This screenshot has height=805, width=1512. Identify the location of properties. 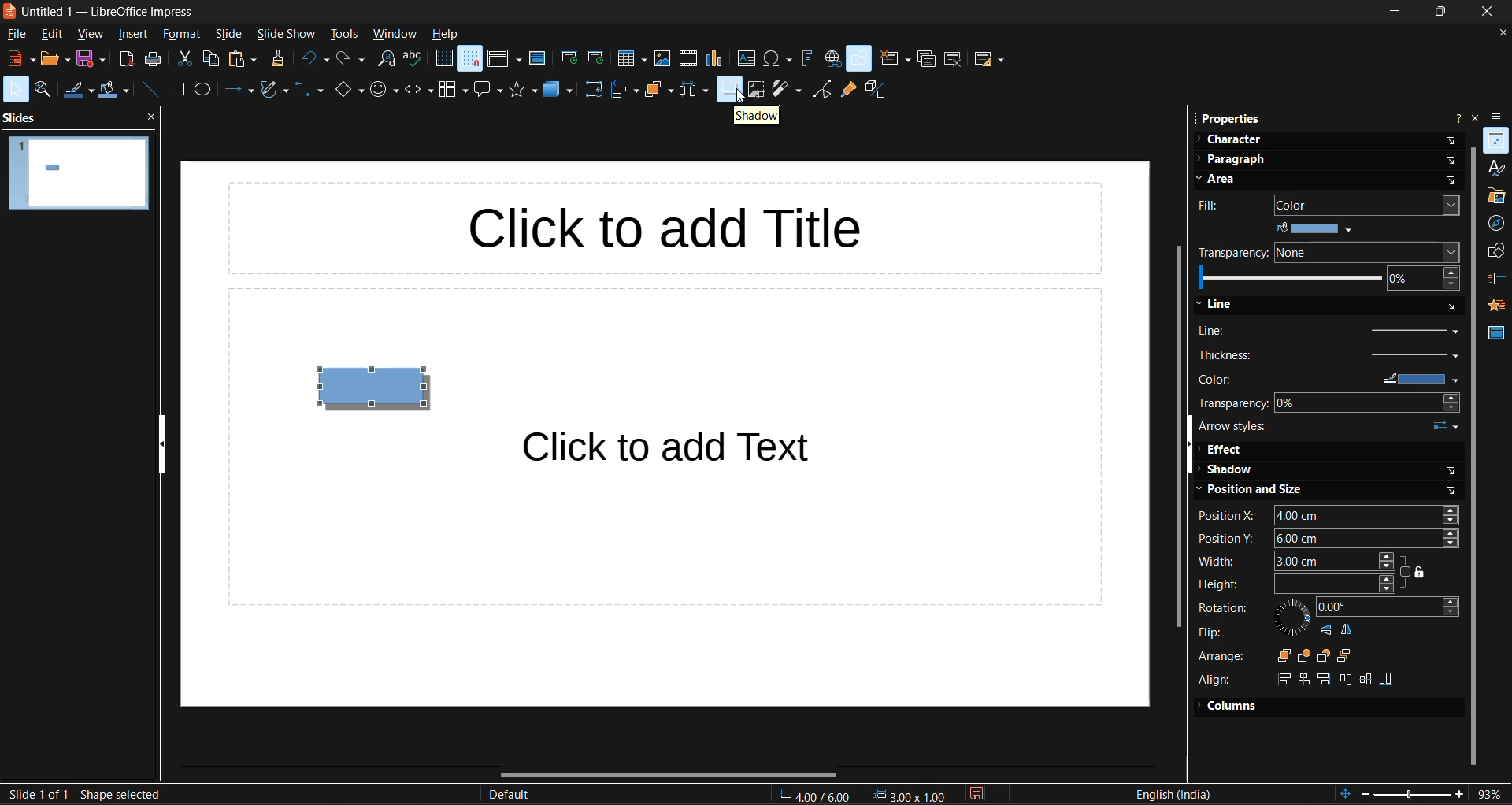
(1228, 118).